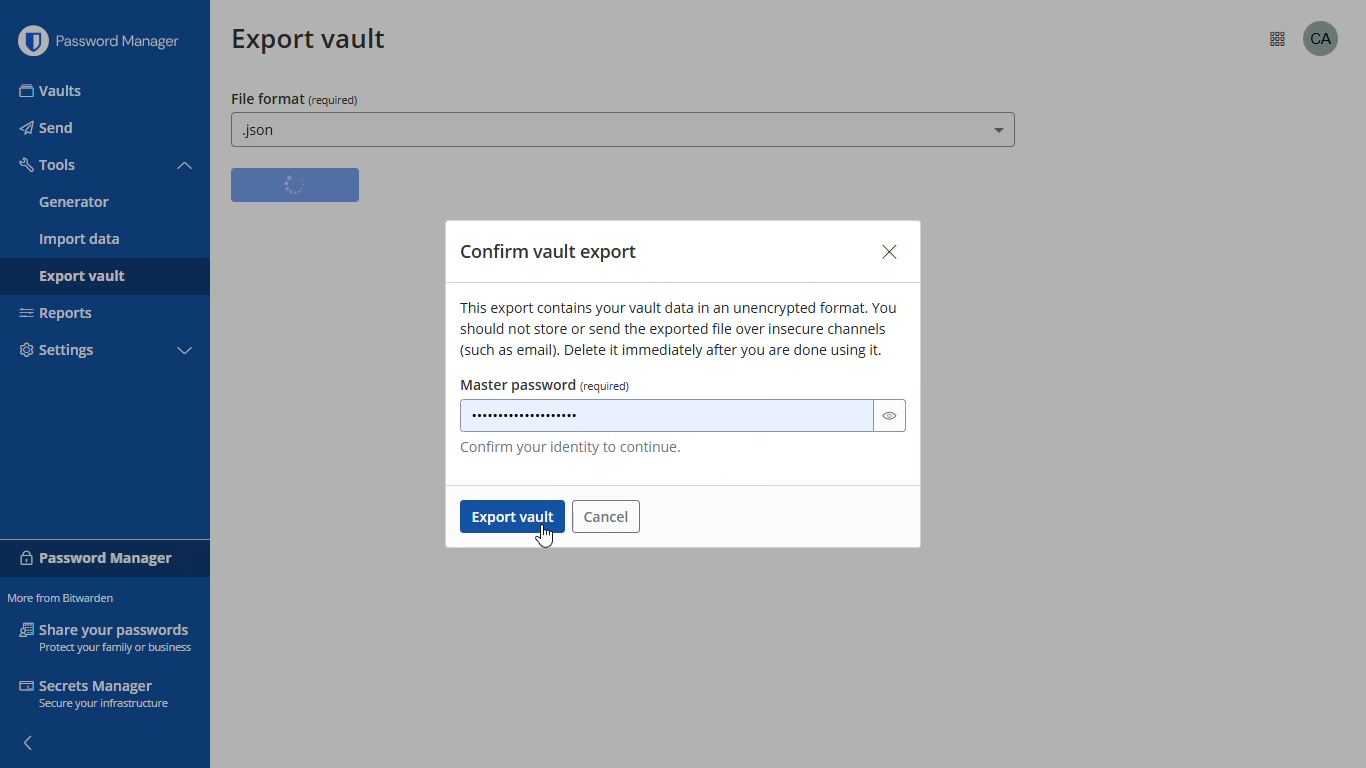 Image resolution: width=1366 pixels, height=768 pixels. What do you see at coordinates (543, 539) in the screenshot?
I see `cursor` at bounding box center [543, 539].